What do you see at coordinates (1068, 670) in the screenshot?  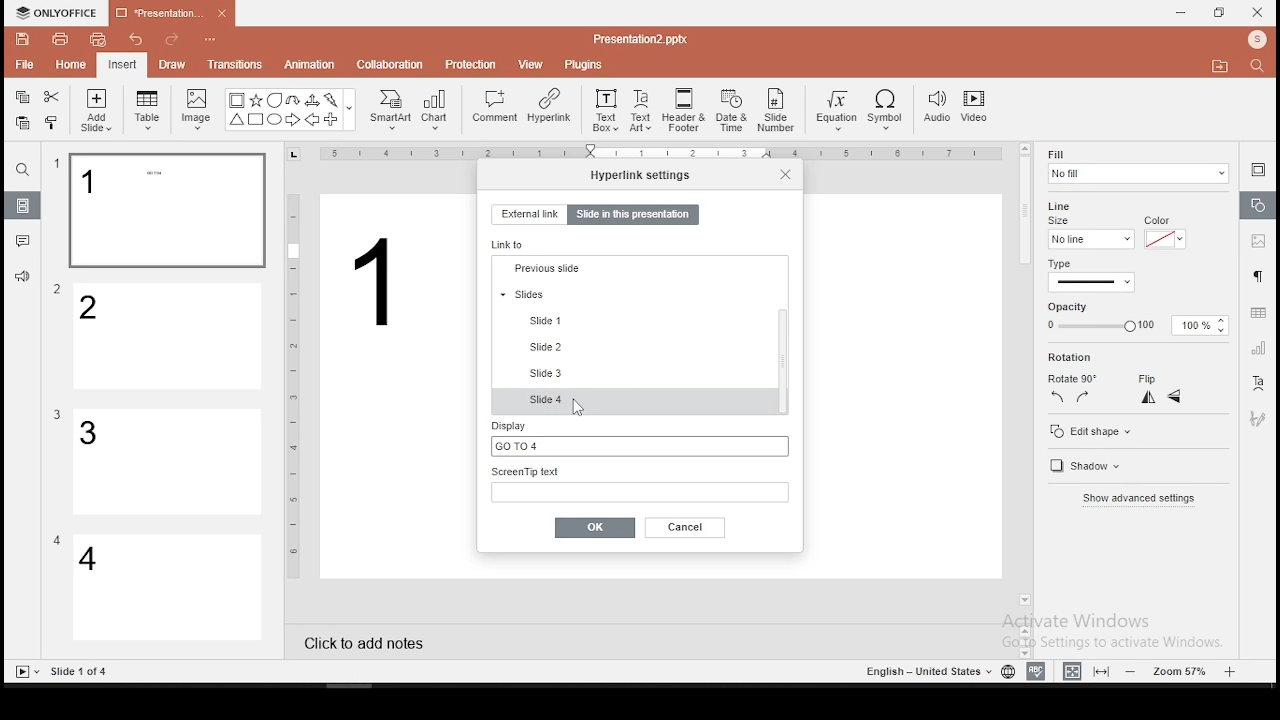 I see `fit to width` at bounding box center [1068, 670].